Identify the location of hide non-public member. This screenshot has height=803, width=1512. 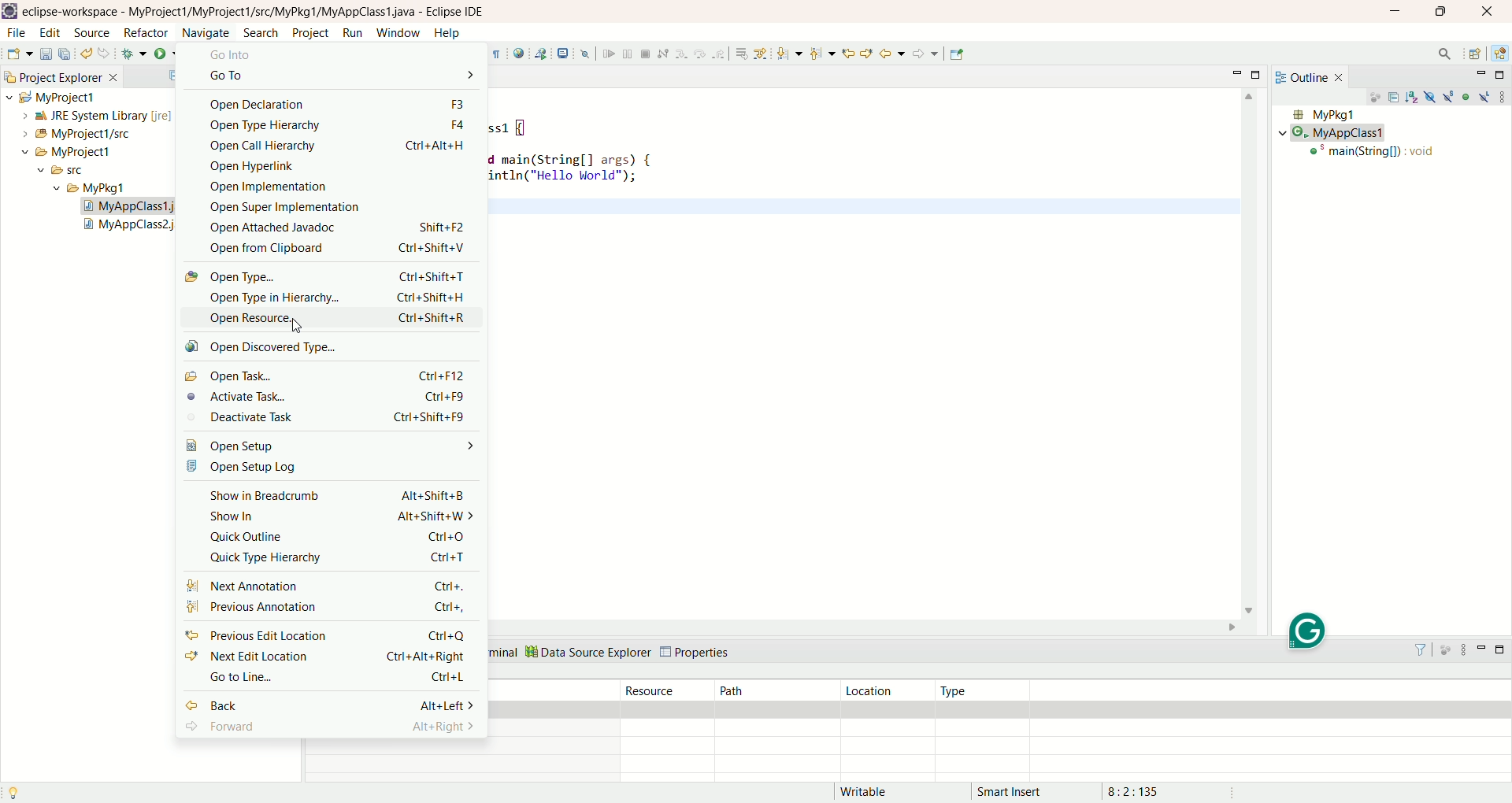
(1467, 96).